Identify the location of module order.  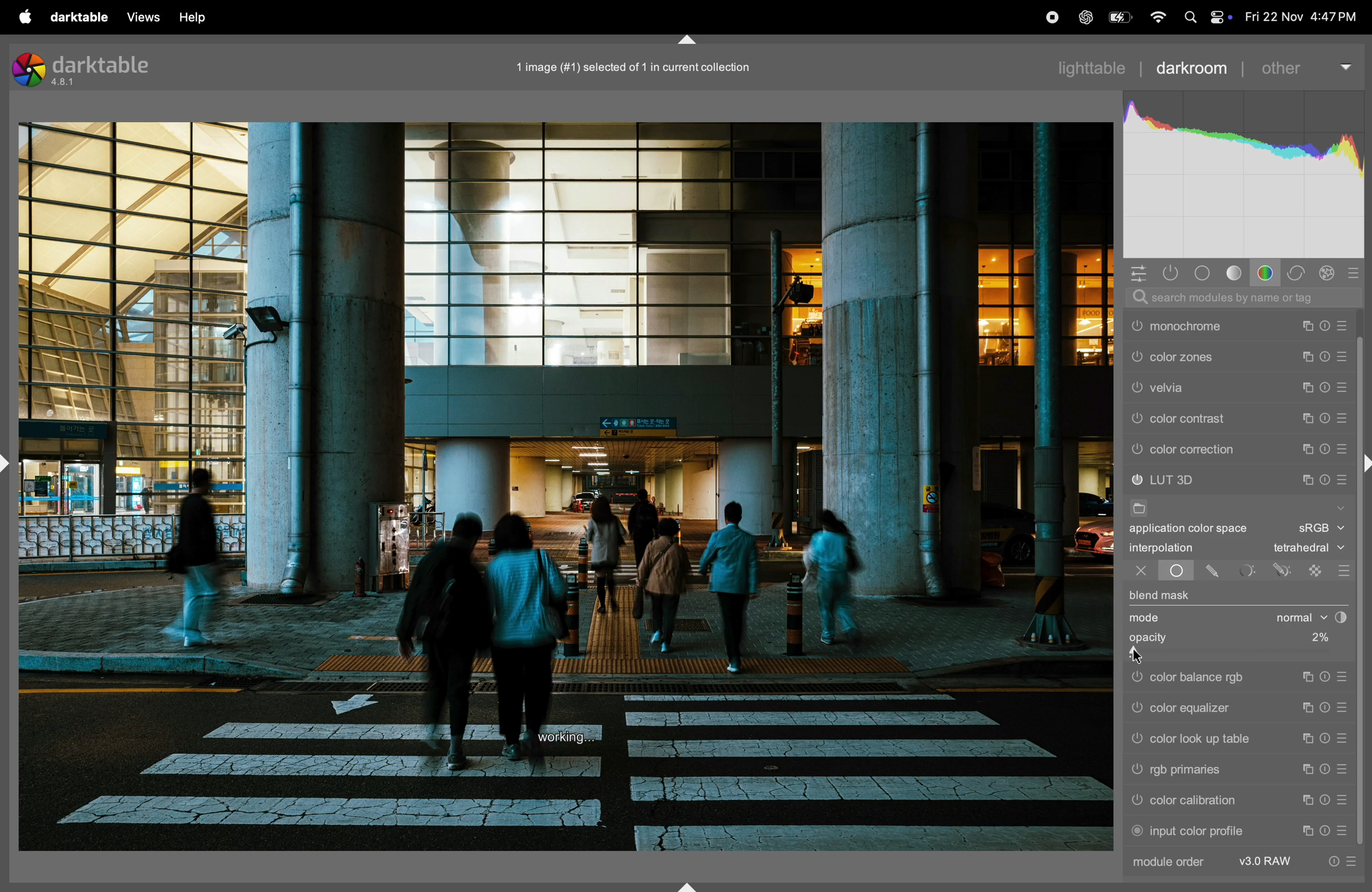
(1178, 864).